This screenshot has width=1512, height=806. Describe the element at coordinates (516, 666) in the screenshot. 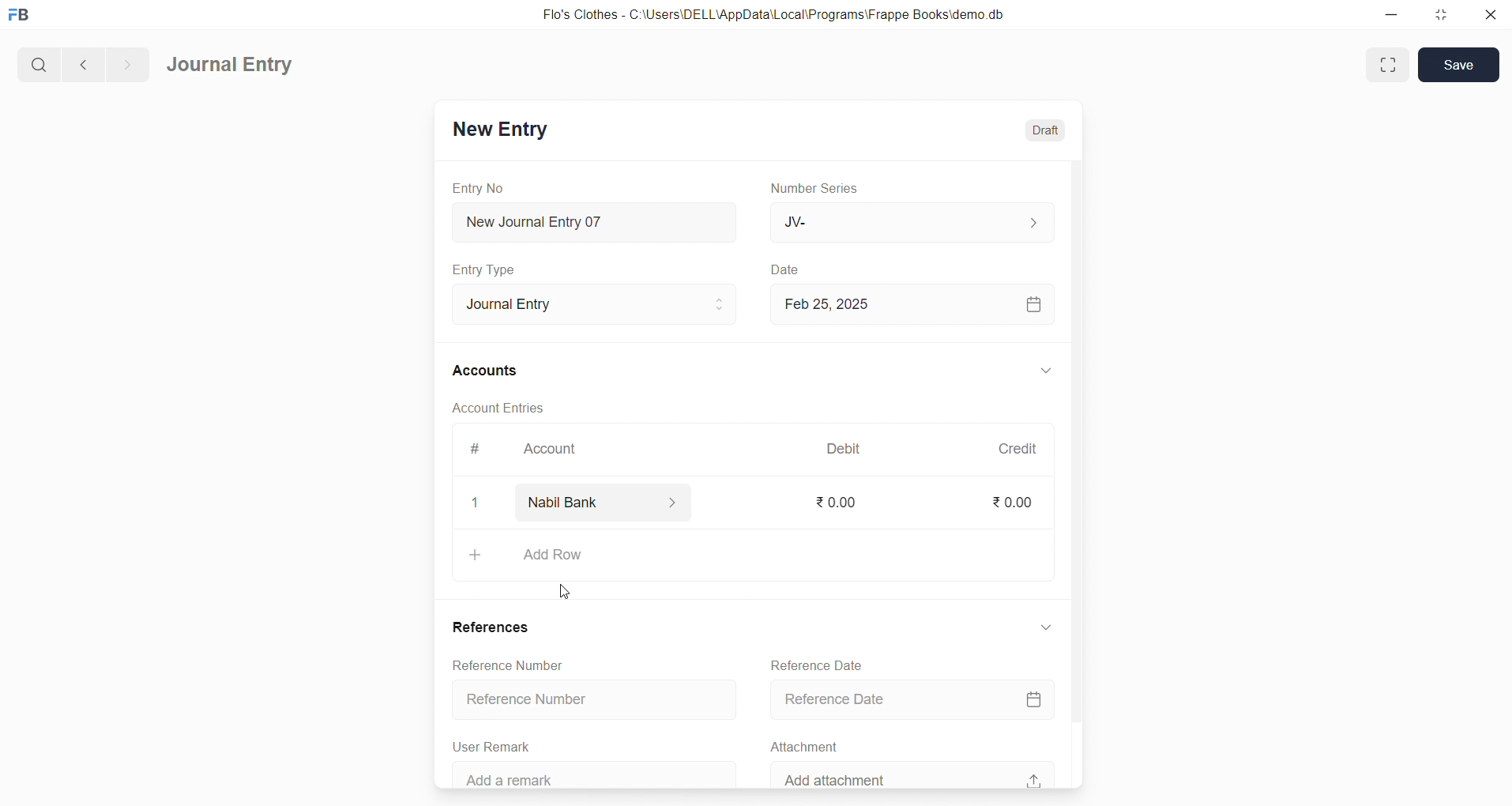

I see `Reference Number` at that location.